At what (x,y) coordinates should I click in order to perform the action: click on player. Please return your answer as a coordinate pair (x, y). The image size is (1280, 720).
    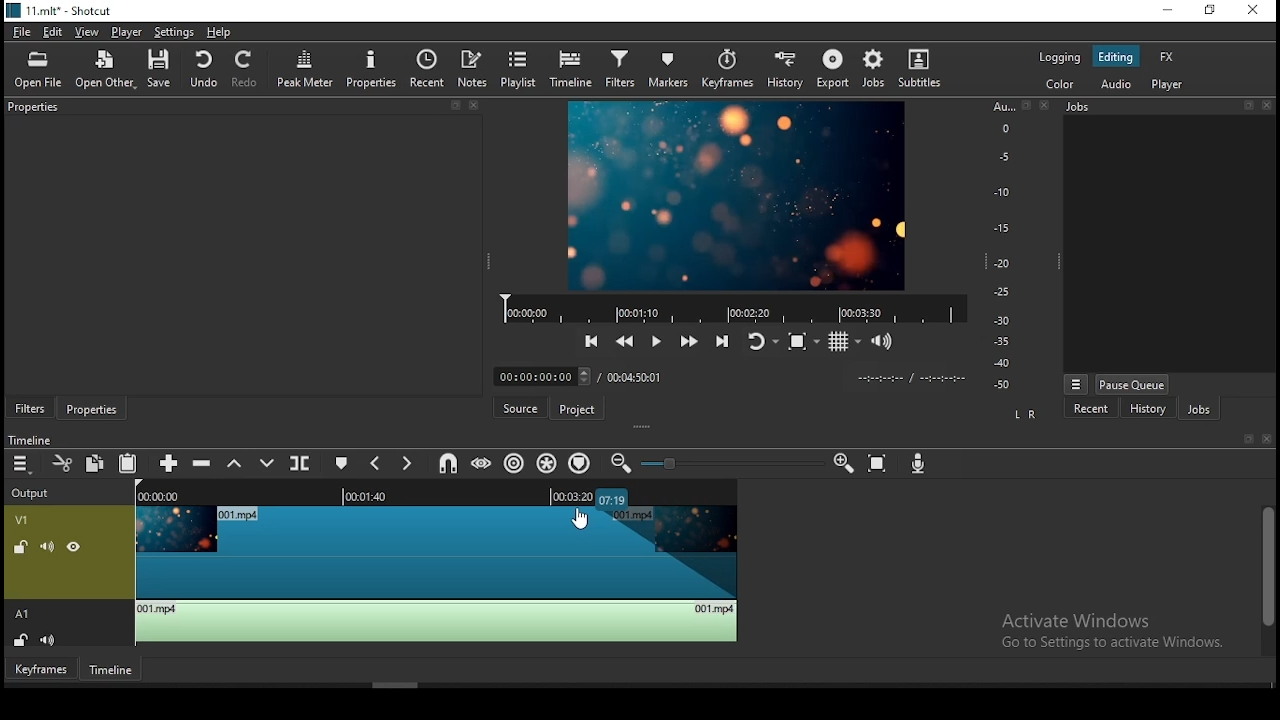
    Looking at the image, I should click on (127, 31).